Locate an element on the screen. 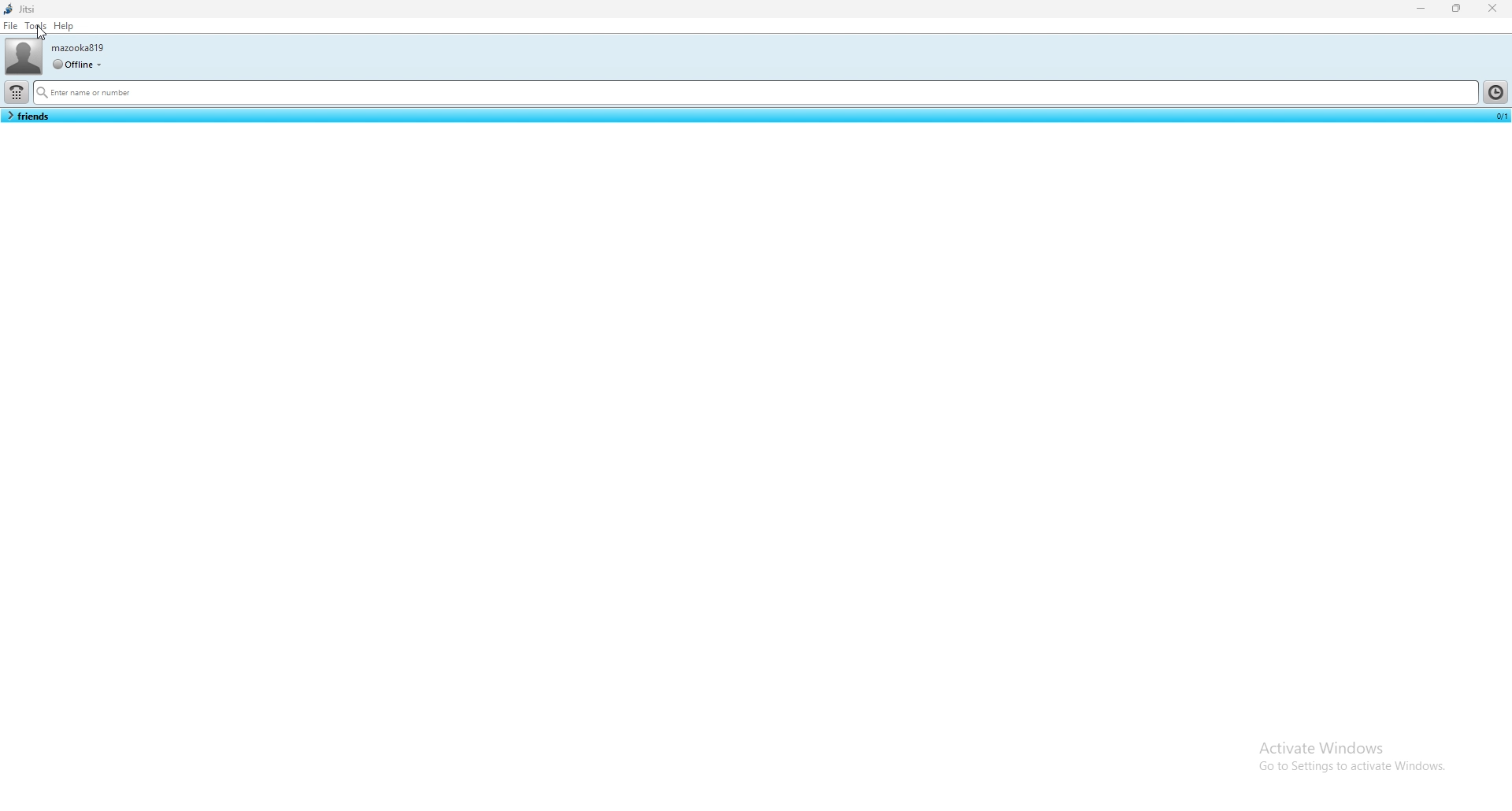 The image size is (1512, 811). username is located at coordinates (80, 47).